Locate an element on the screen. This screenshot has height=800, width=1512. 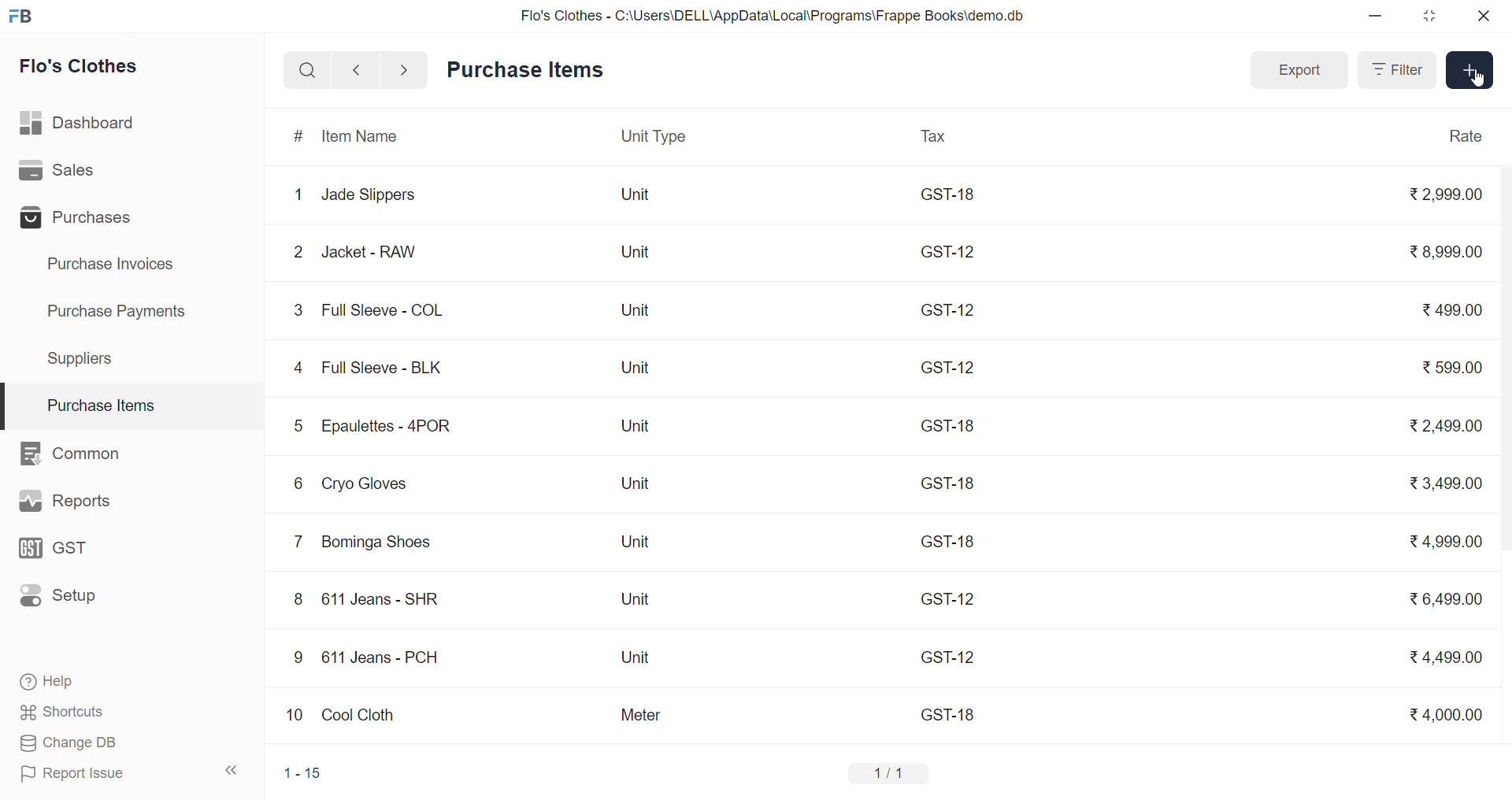
navigate forward is located at coordinates (406, 70).